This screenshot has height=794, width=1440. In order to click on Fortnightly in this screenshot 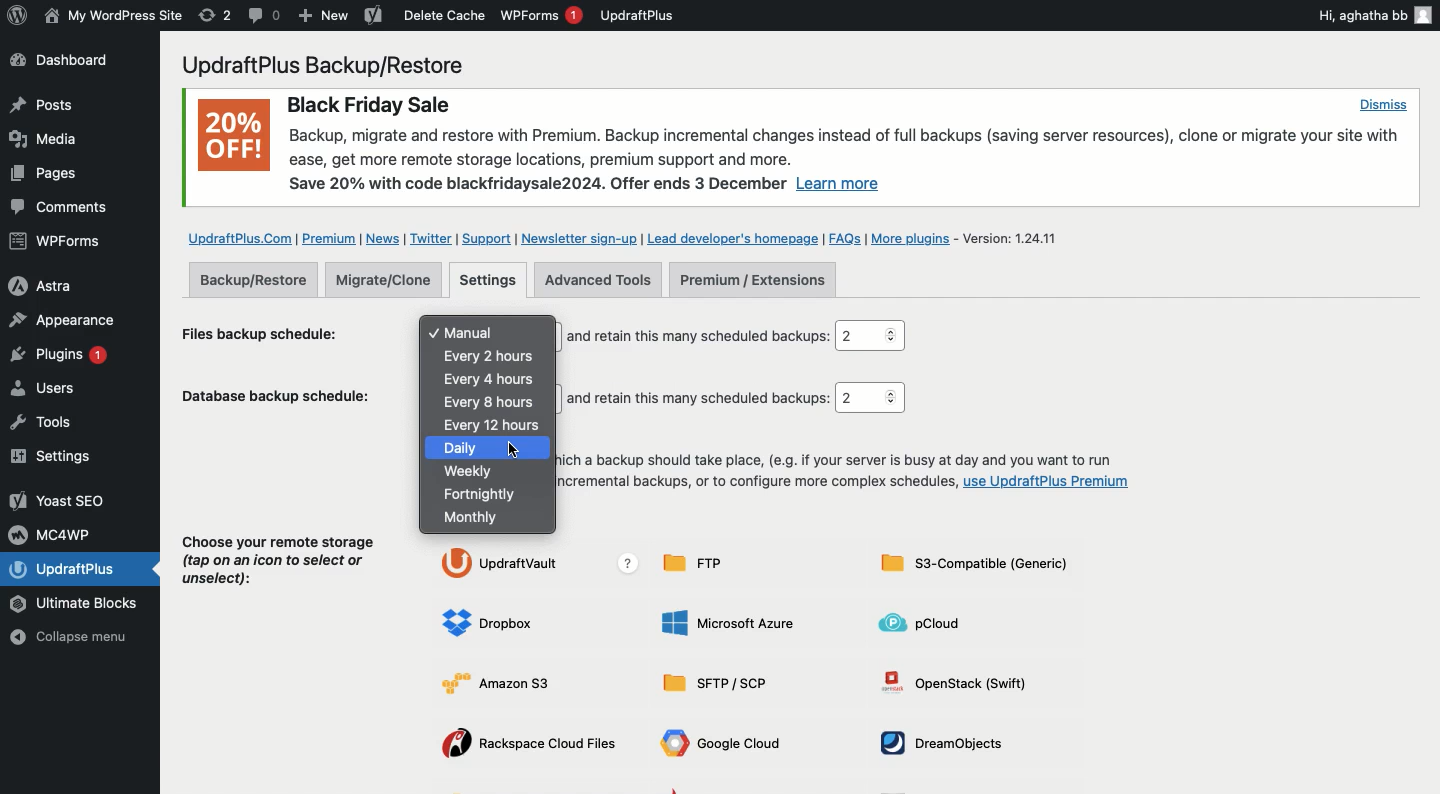, I will do `click(483, 495)`.